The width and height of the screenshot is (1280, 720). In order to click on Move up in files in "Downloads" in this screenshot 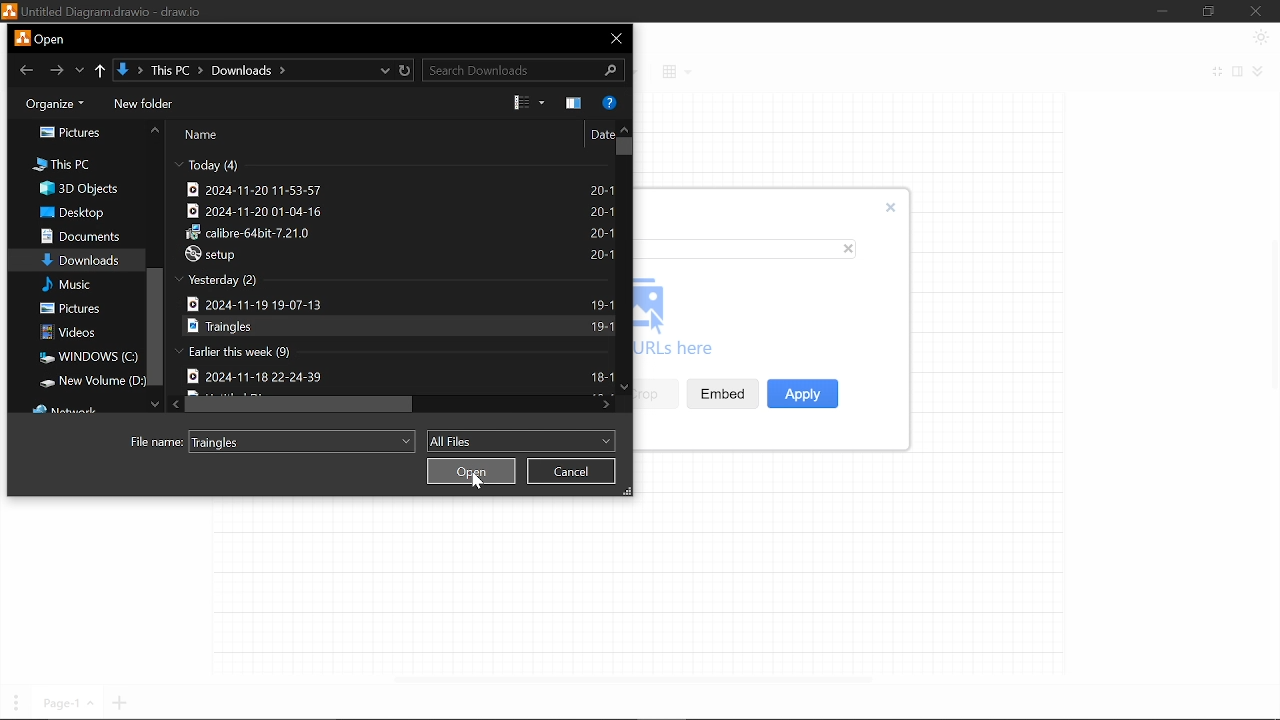, I will do `click(625, 128)`.